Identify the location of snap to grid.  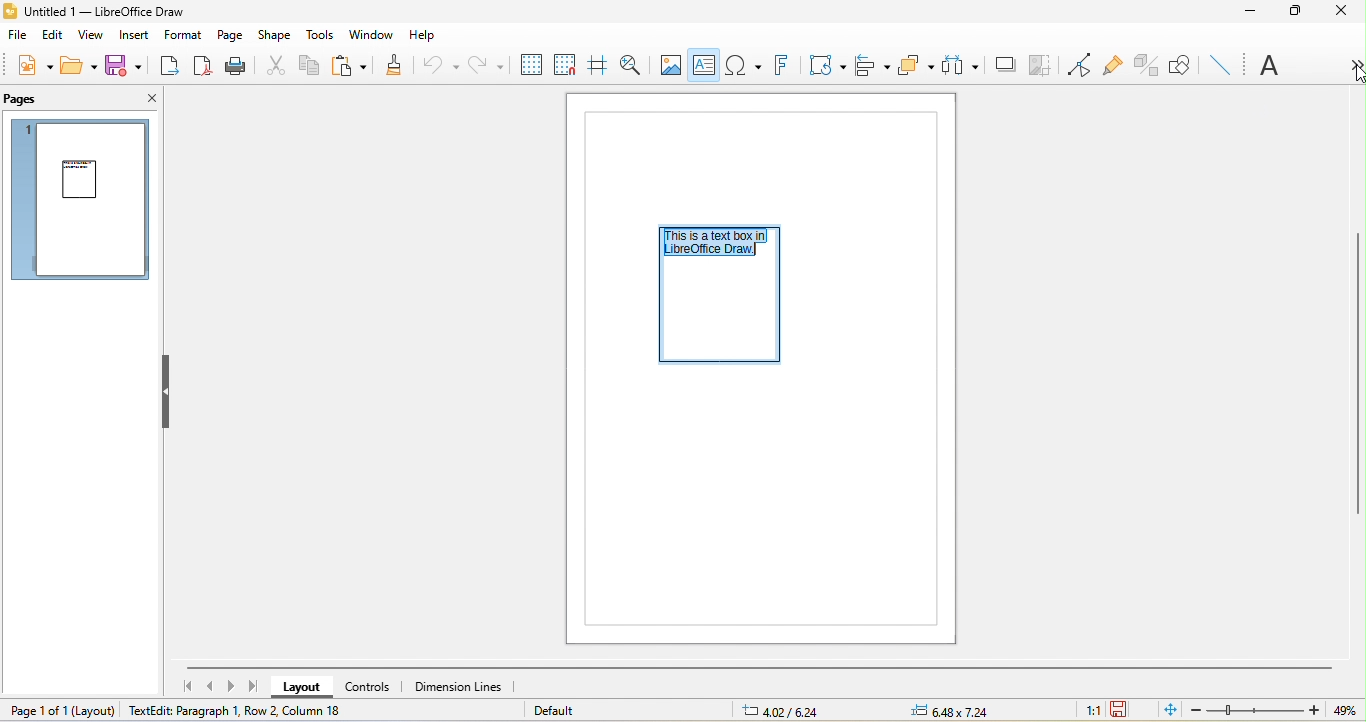
(563, 66).